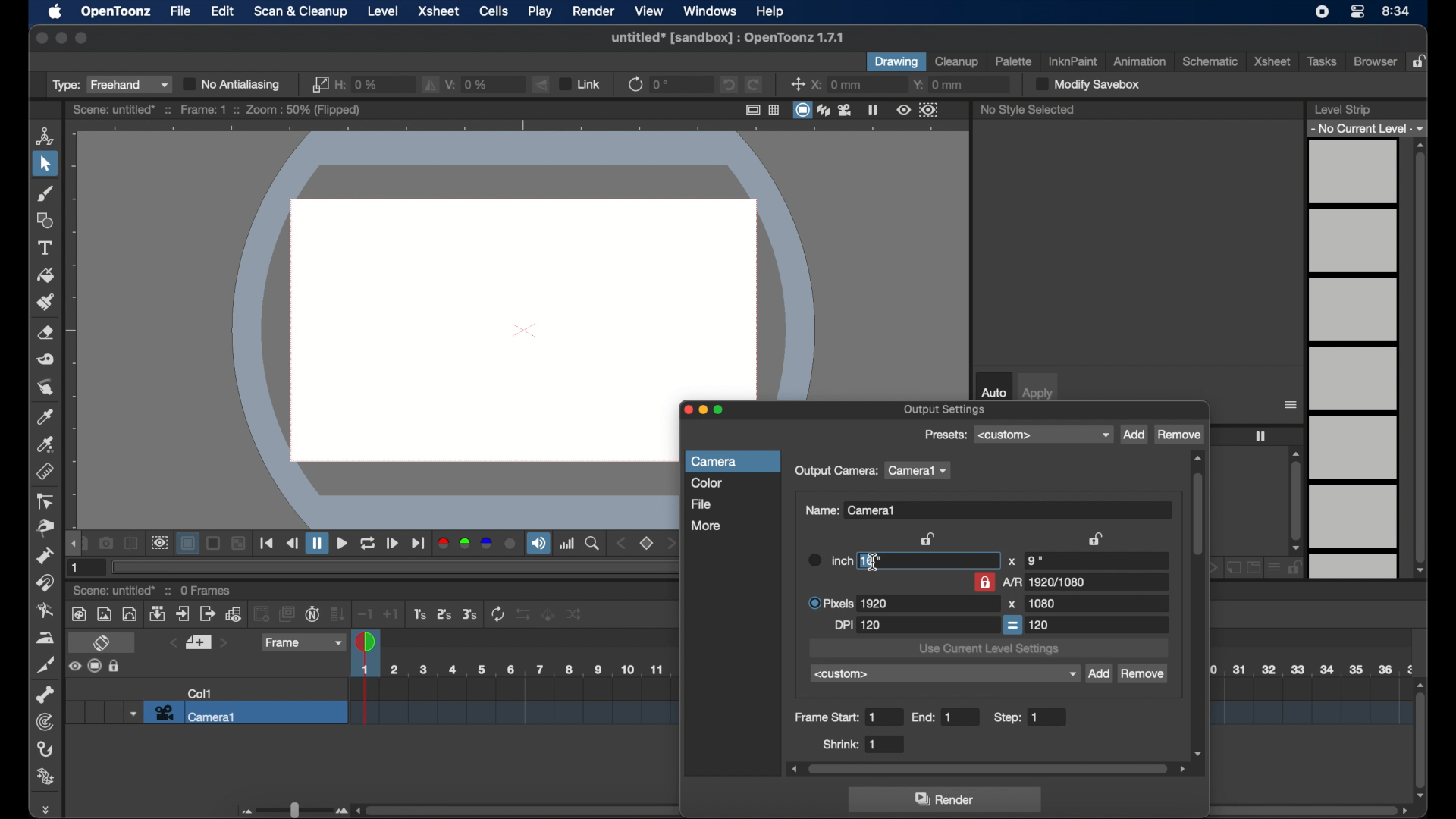 Image resolution: width=1456 pixels, height=819 pixels. Describe the element at coordinates (770, 12) in the screenshot. I see `help` at that location.